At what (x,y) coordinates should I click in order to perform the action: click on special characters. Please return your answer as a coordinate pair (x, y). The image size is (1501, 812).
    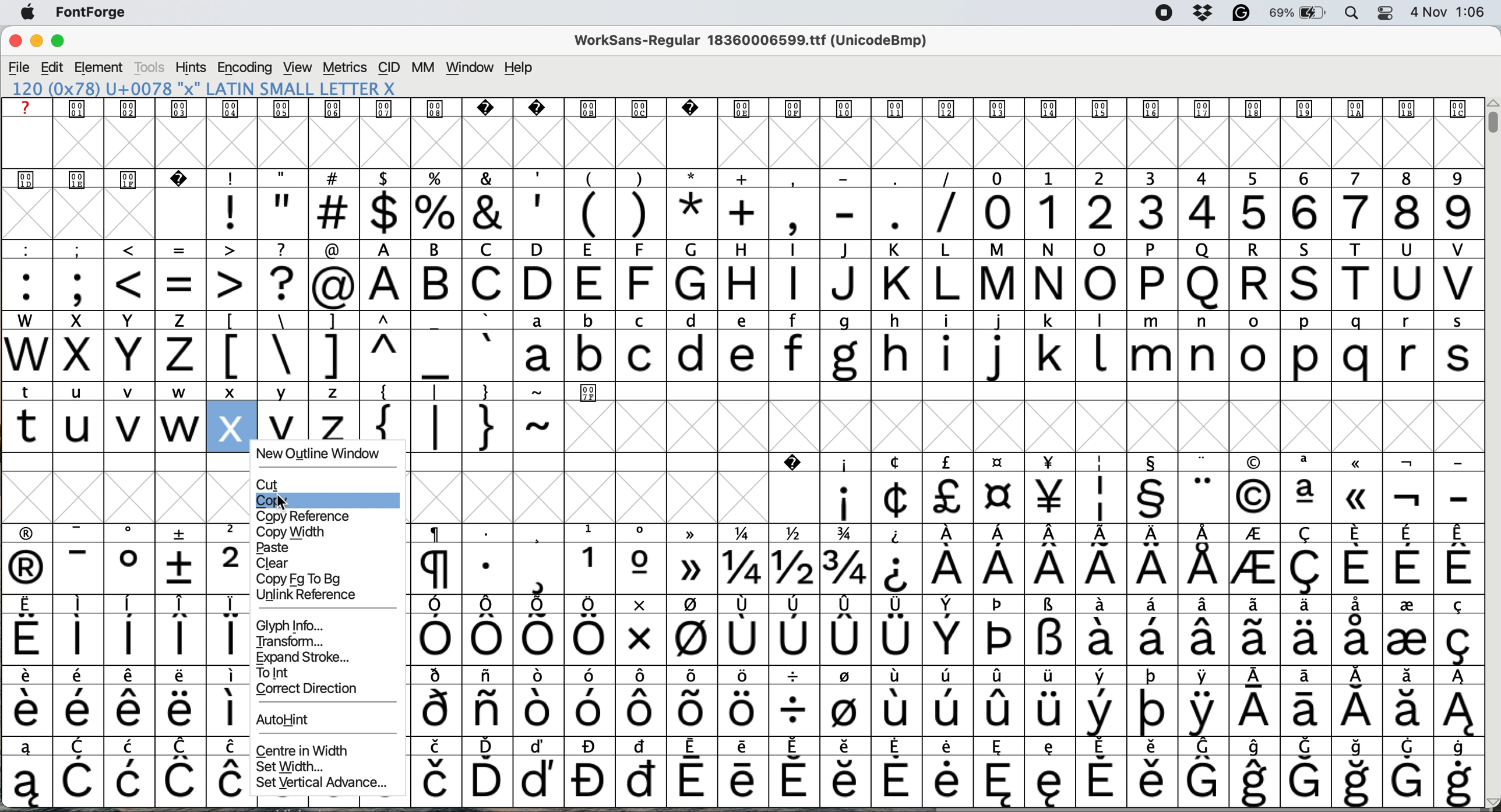
    Looking at the image, I should click on (125, 676).